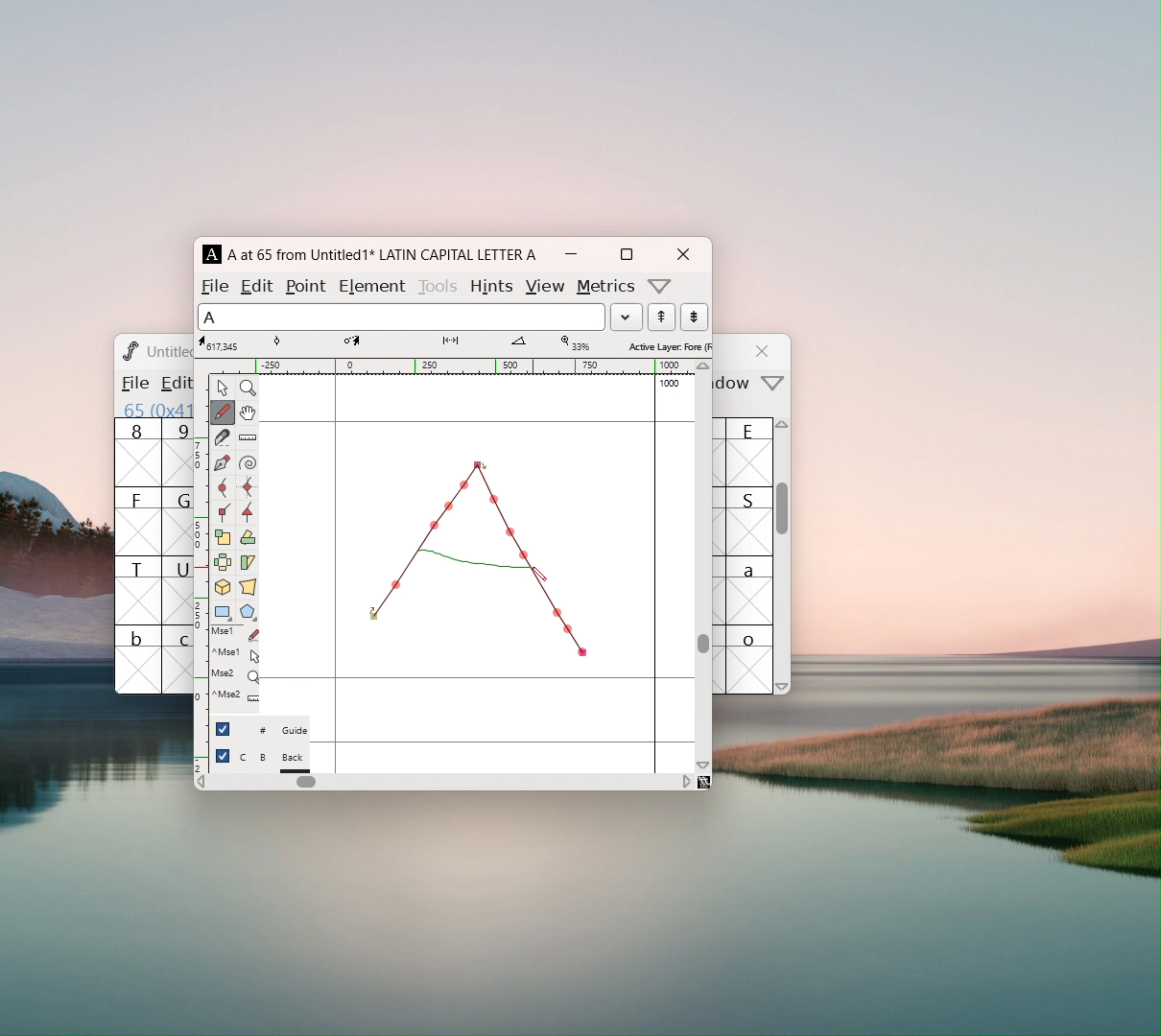  Describe the element at coordinates (571, 254) in the screenshot. I see `mimize` at that location.